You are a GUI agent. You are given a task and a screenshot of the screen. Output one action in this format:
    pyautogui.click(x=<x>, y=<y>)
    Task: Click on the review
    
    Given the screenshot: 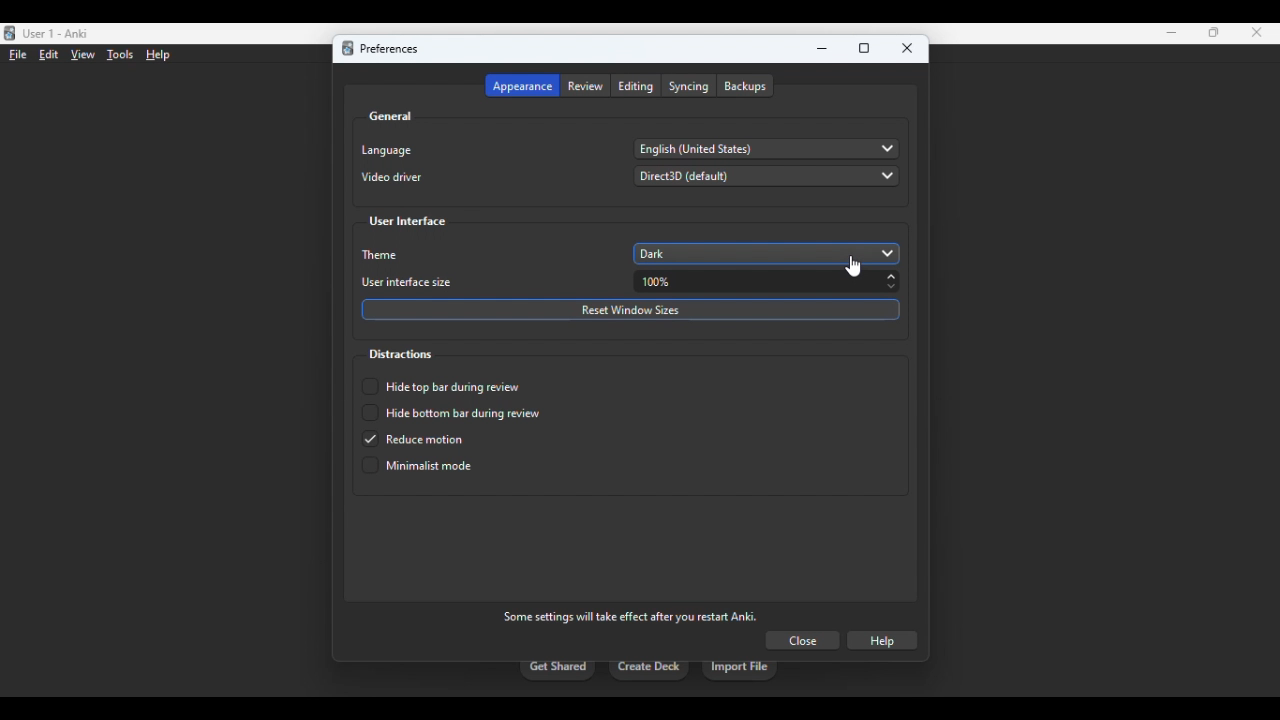 What is the action you would take?
    pyautogui.click(x=586, y=86)
    